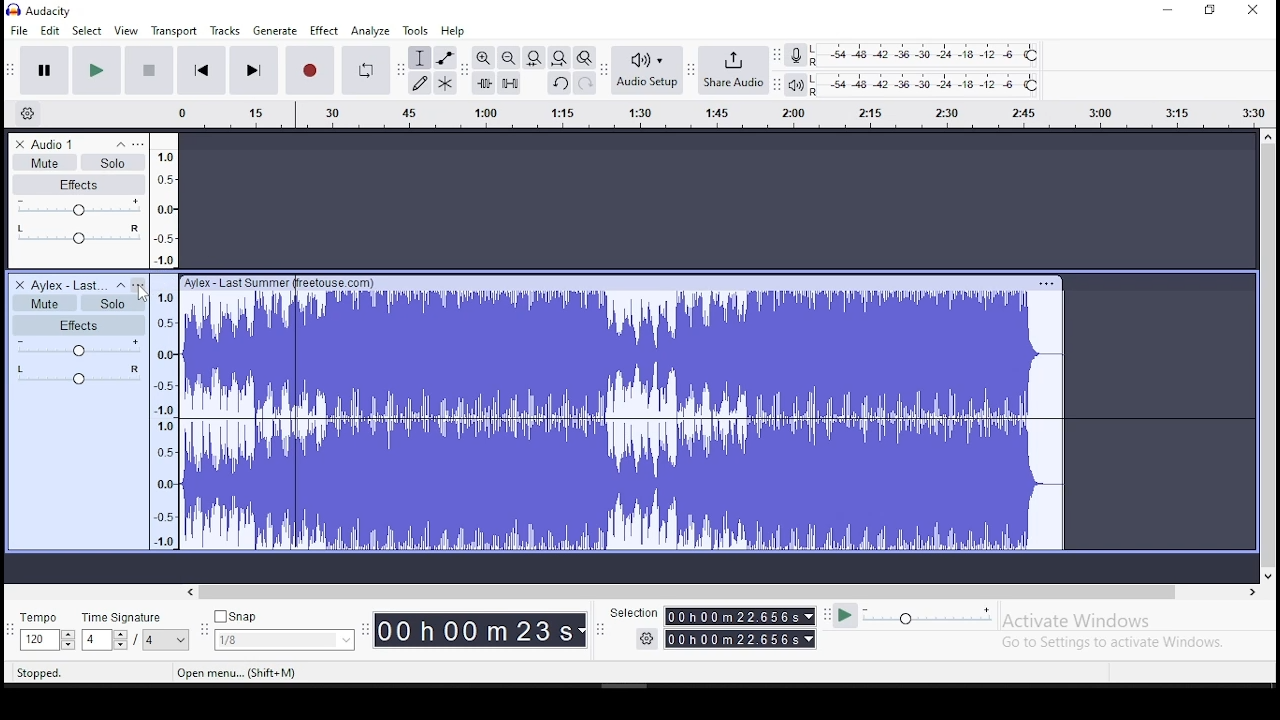  What do you see at coordinates (444, 83) in the screenshot?
I see `multi tool` at bounding box center [444, 83].